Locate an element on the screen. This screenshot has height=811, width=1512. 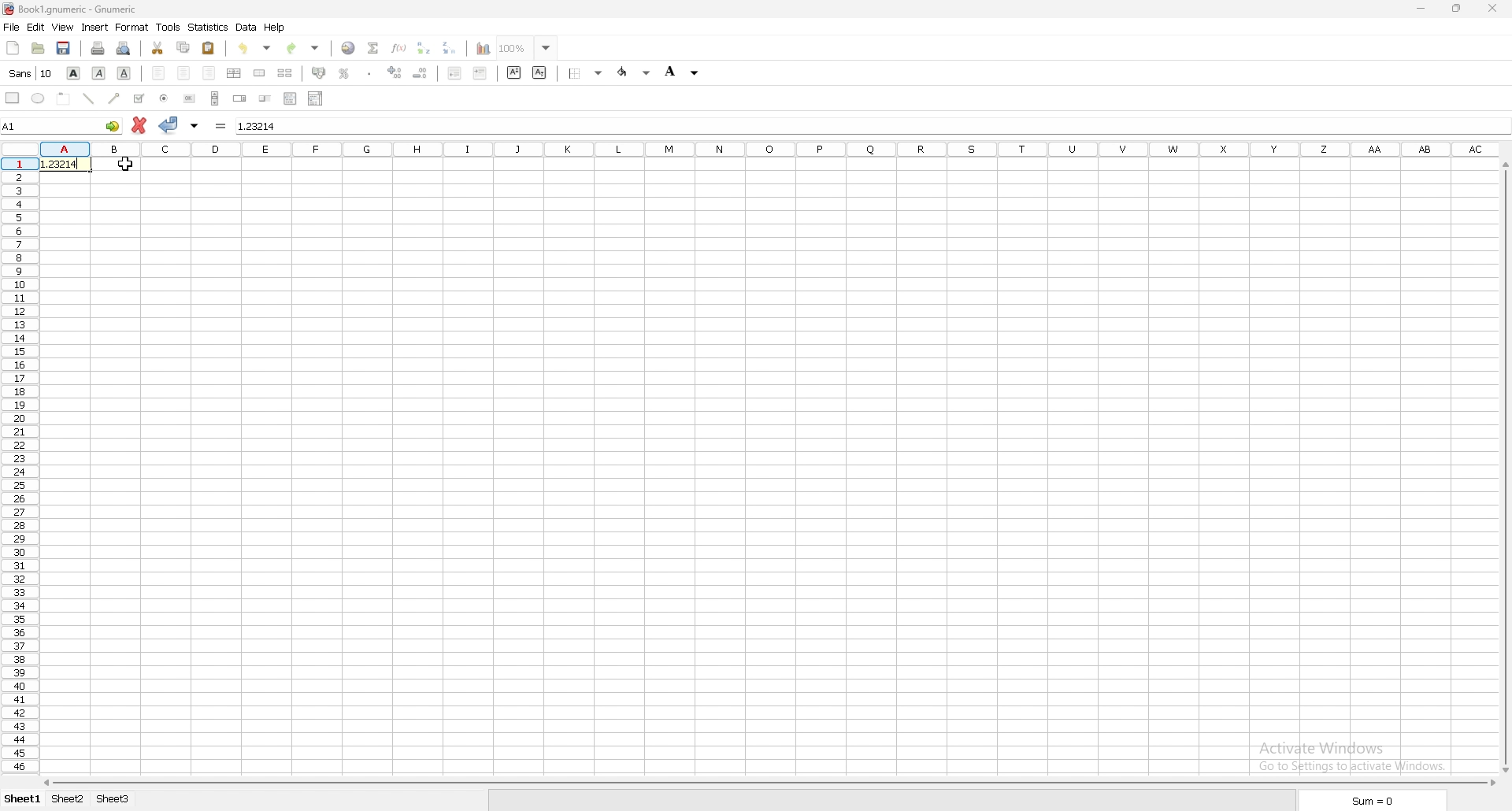
zoom is located at coordinates (524, 49).